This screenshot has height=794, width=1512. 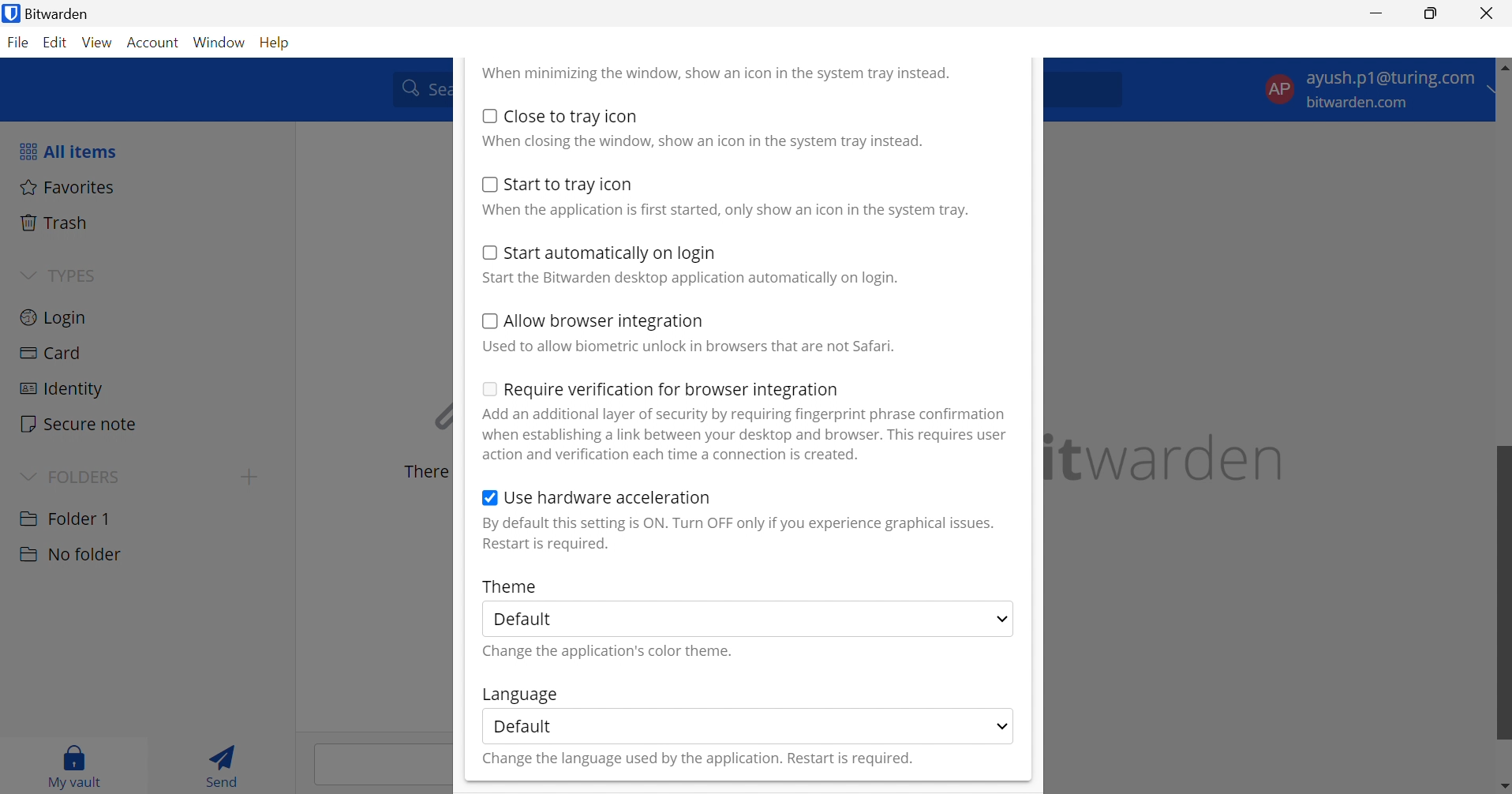 I want to click on Favorites, so click(x=68, y=186).